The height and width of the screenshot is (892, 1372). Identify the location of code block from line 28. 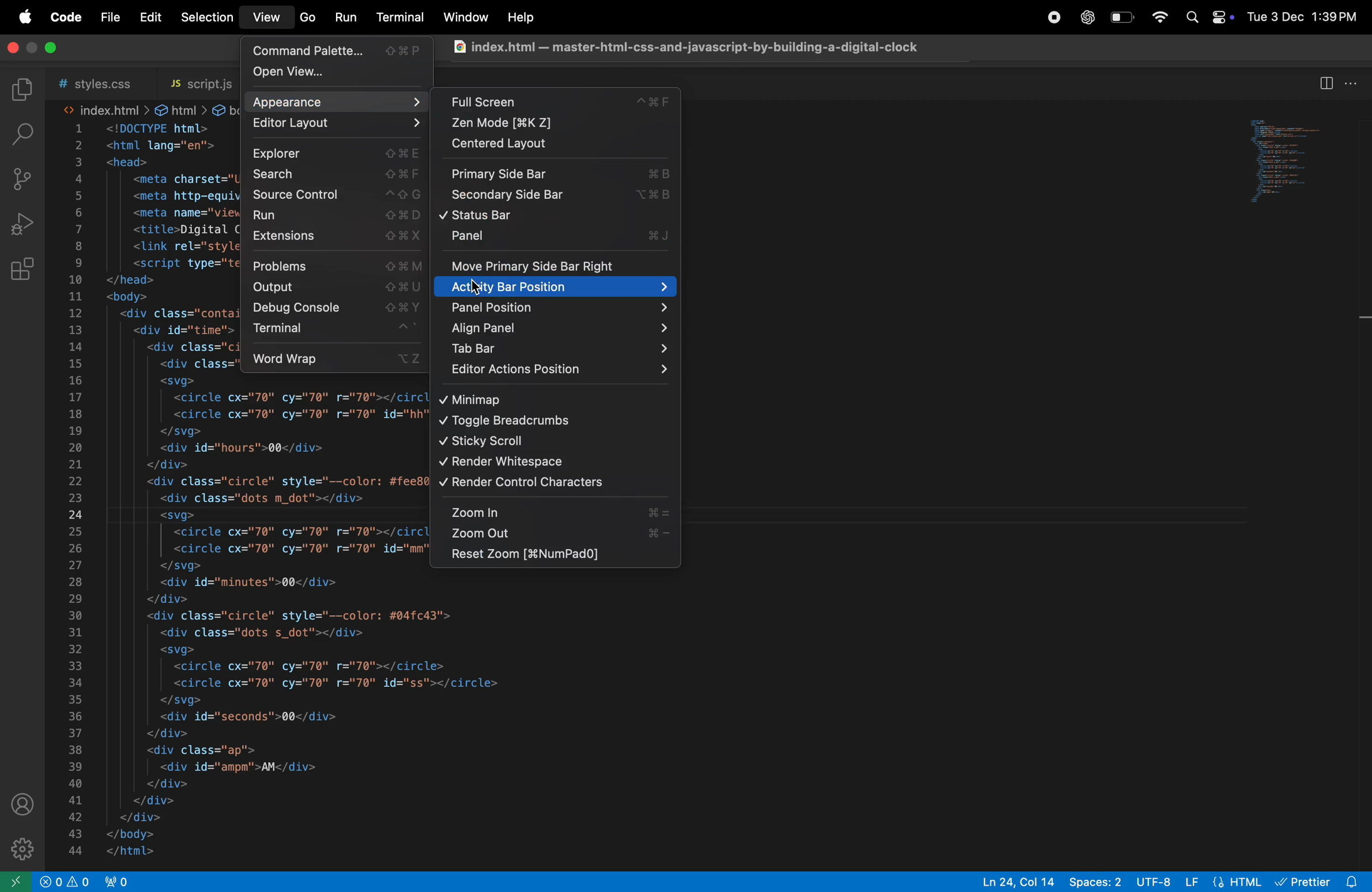
(566, 722).